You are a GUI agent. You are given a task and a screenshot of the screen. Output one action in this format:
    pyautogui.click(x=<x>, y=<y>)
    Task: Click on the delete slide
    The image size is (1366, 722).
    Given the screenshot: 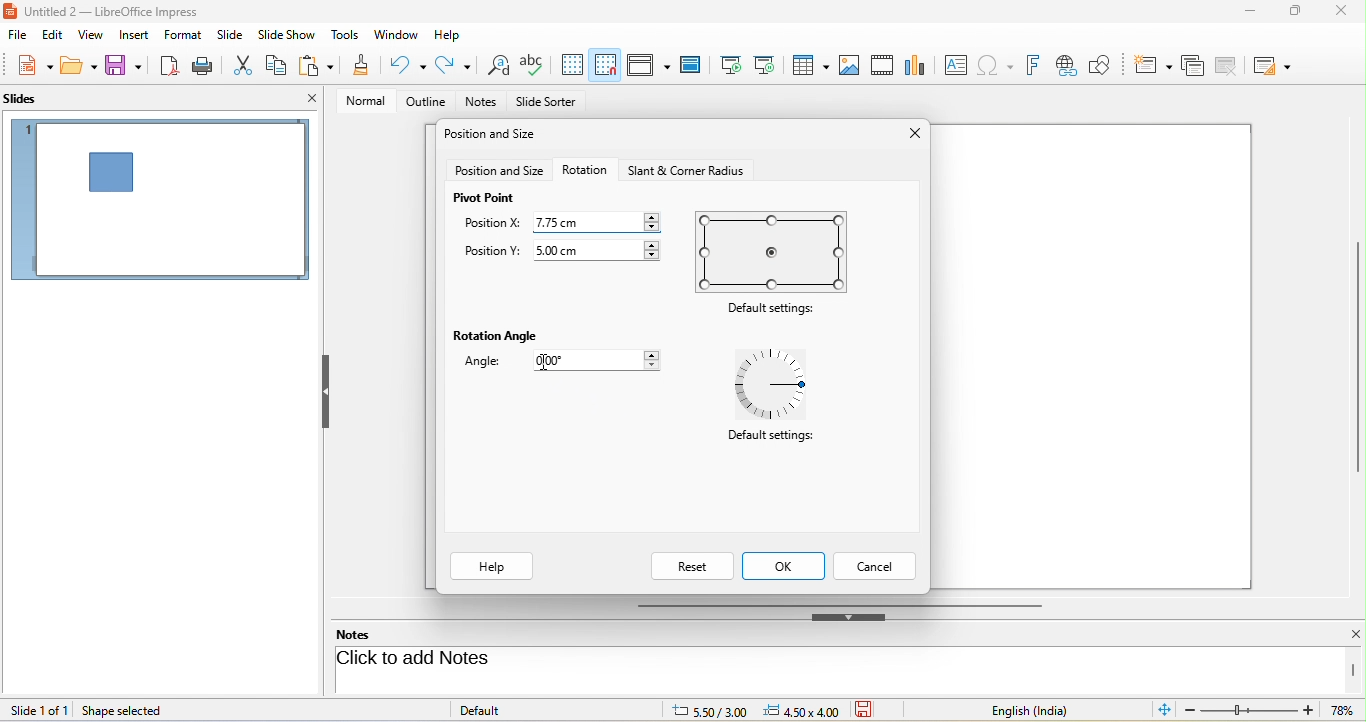 What is the action you would take?
    pyautogui.click(x=1232, y=66)
    